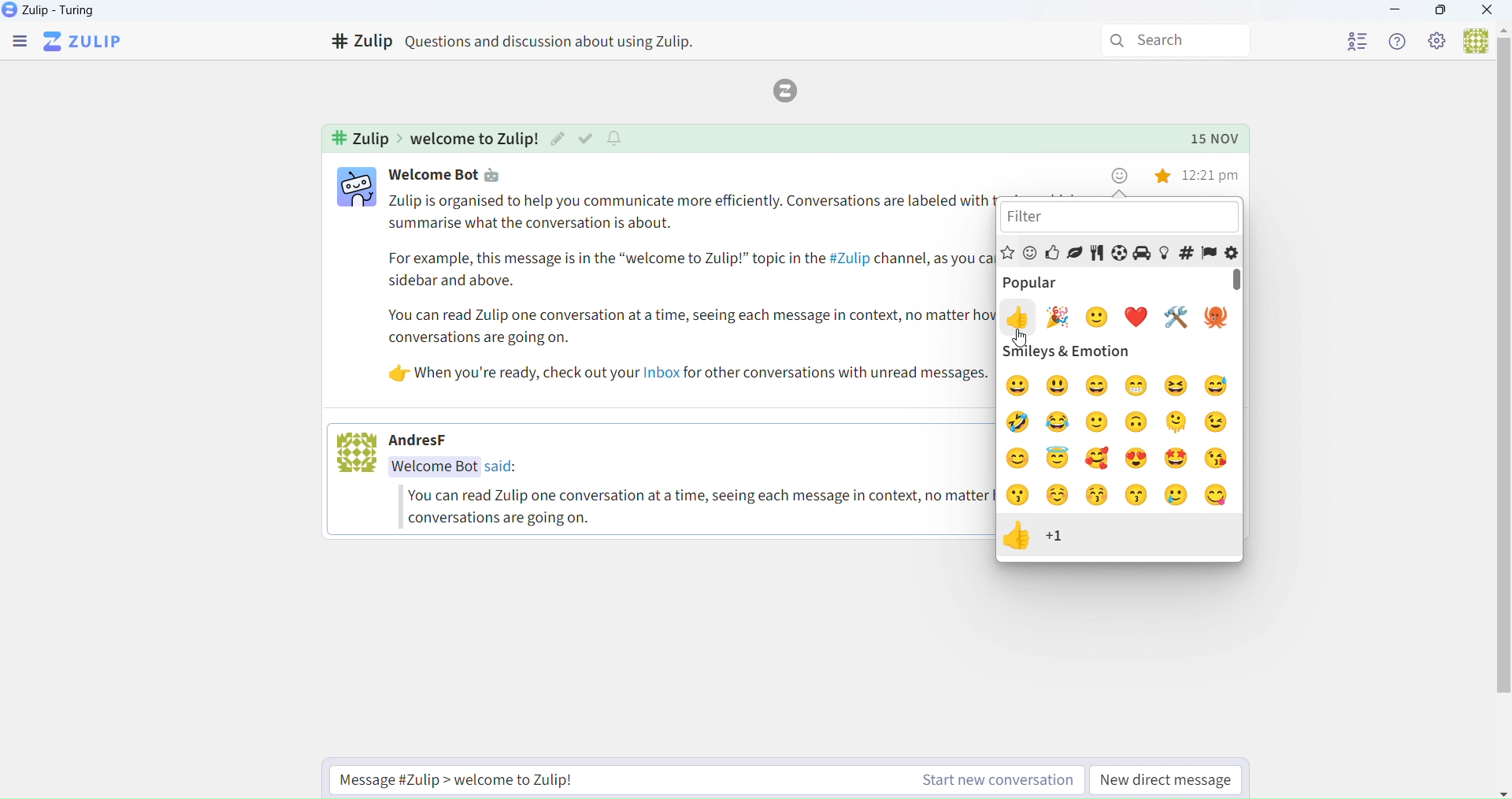 The width and height of the screenshot is (1512, 799). I want to click on wink, so click(1221, 422).